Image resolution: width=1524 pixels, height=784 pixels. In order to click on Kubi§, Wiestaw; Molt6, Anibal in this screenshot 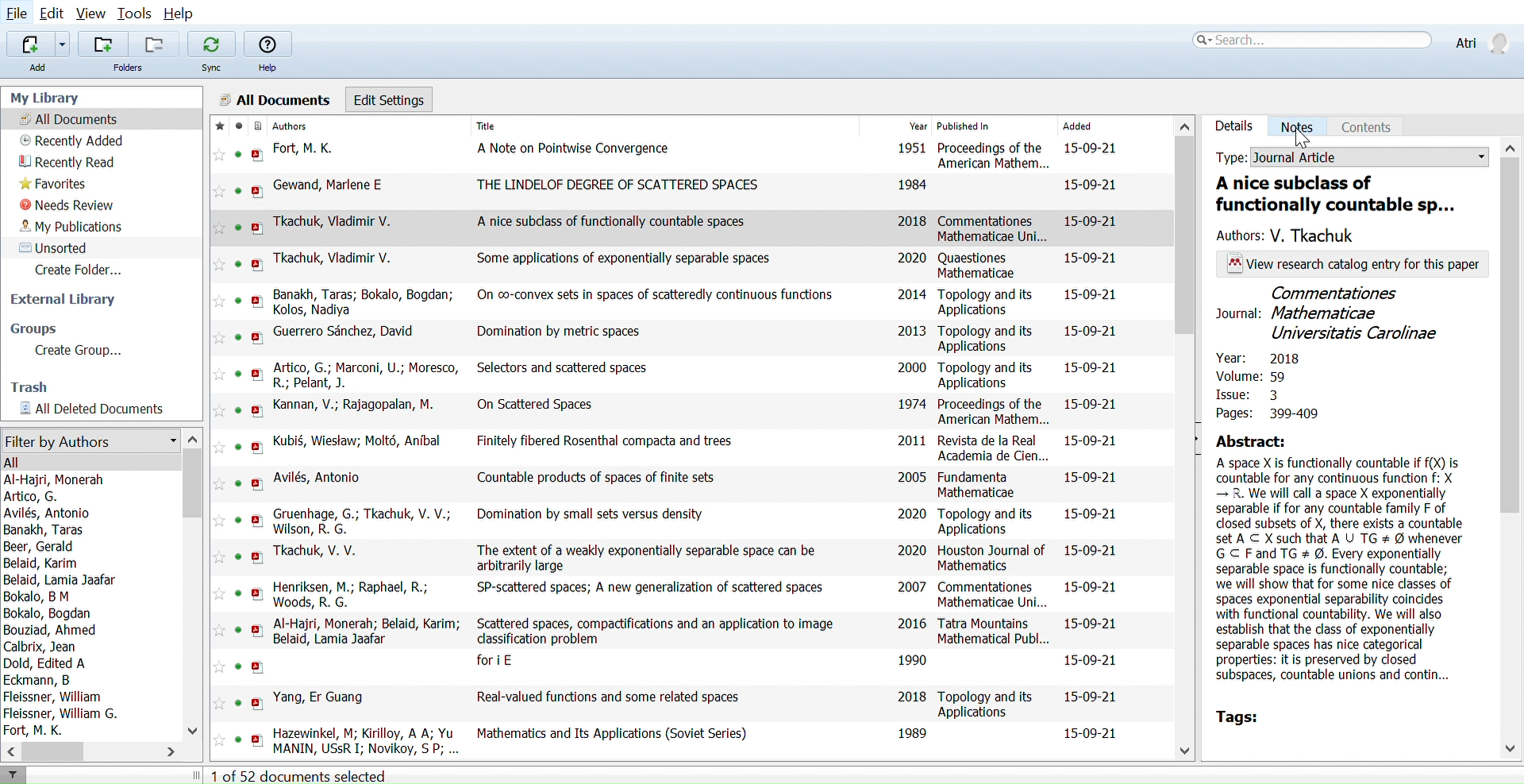, I will do `click(359, 442)`.